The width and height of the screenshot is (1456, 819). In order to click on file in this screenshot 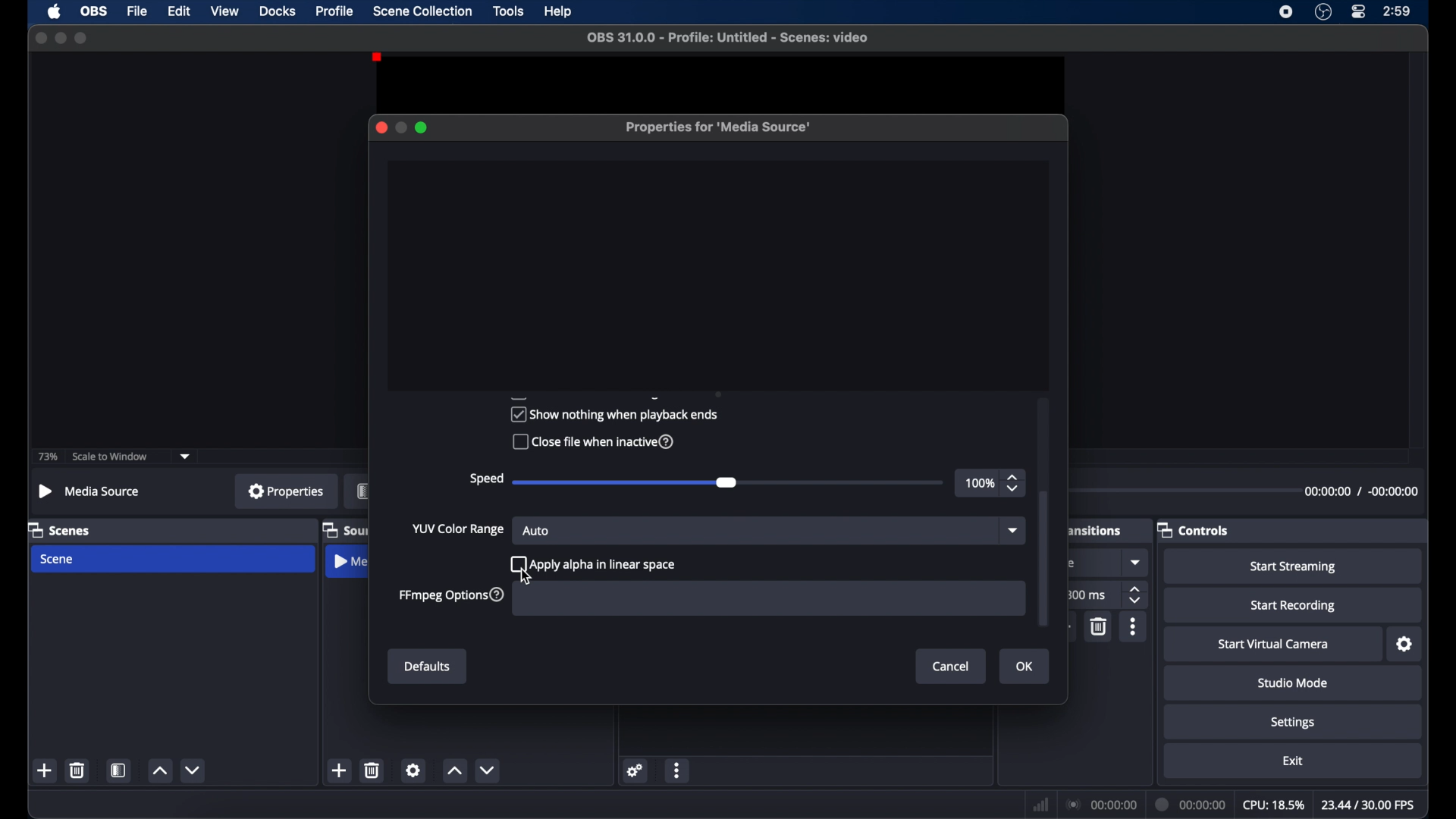, I will do `click(138, 12)`.